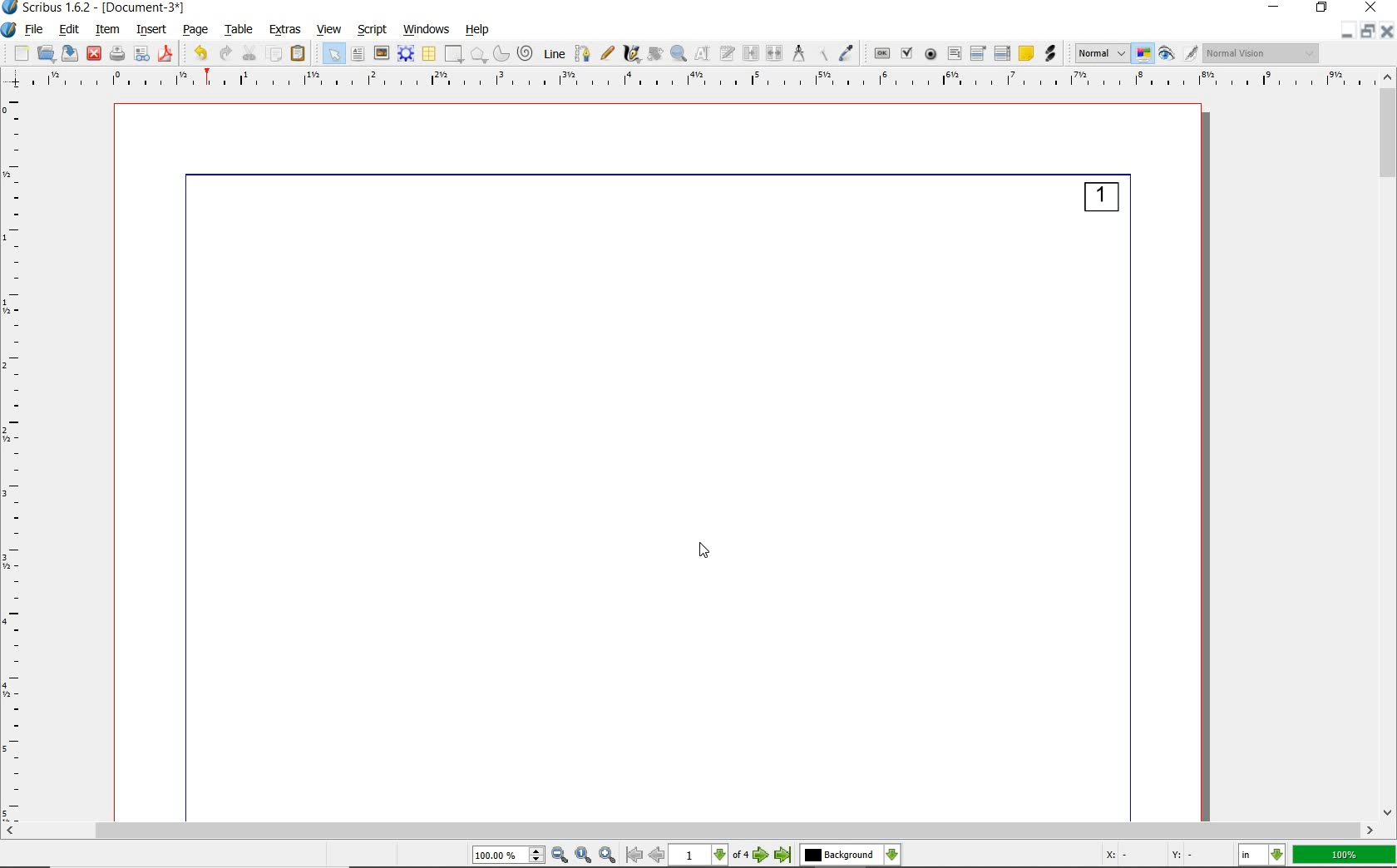 This screenshot has width=1397, height=868. Describe the element at coordinates (678, 54) in the screenshot. I see `zoom in or zoom out` at that location.